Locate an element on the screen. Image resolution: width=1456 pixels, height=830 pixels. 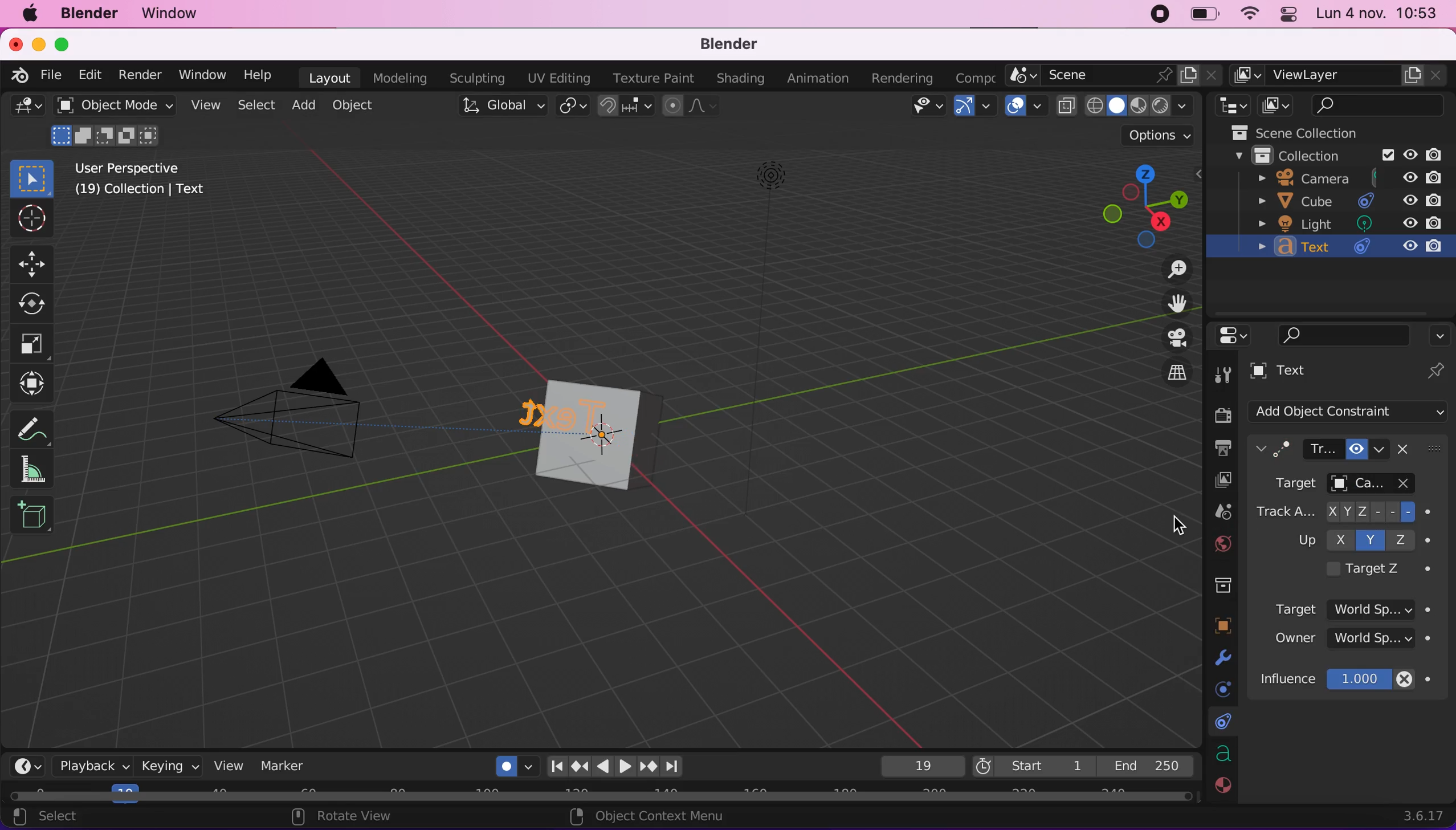
add cube is located at coordinates (33, 521).